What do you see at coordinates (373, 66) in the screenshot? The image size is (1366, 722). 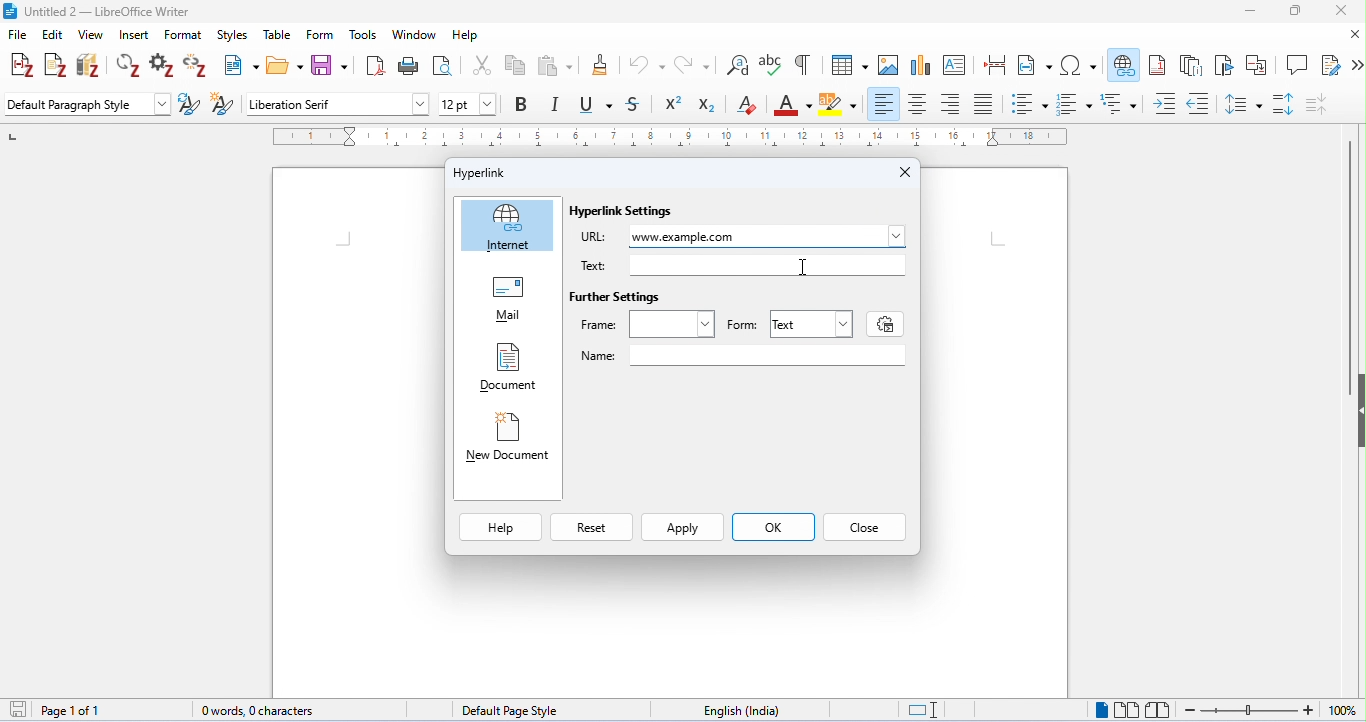 I see `export as pdf` at bounding box center [373, 66].